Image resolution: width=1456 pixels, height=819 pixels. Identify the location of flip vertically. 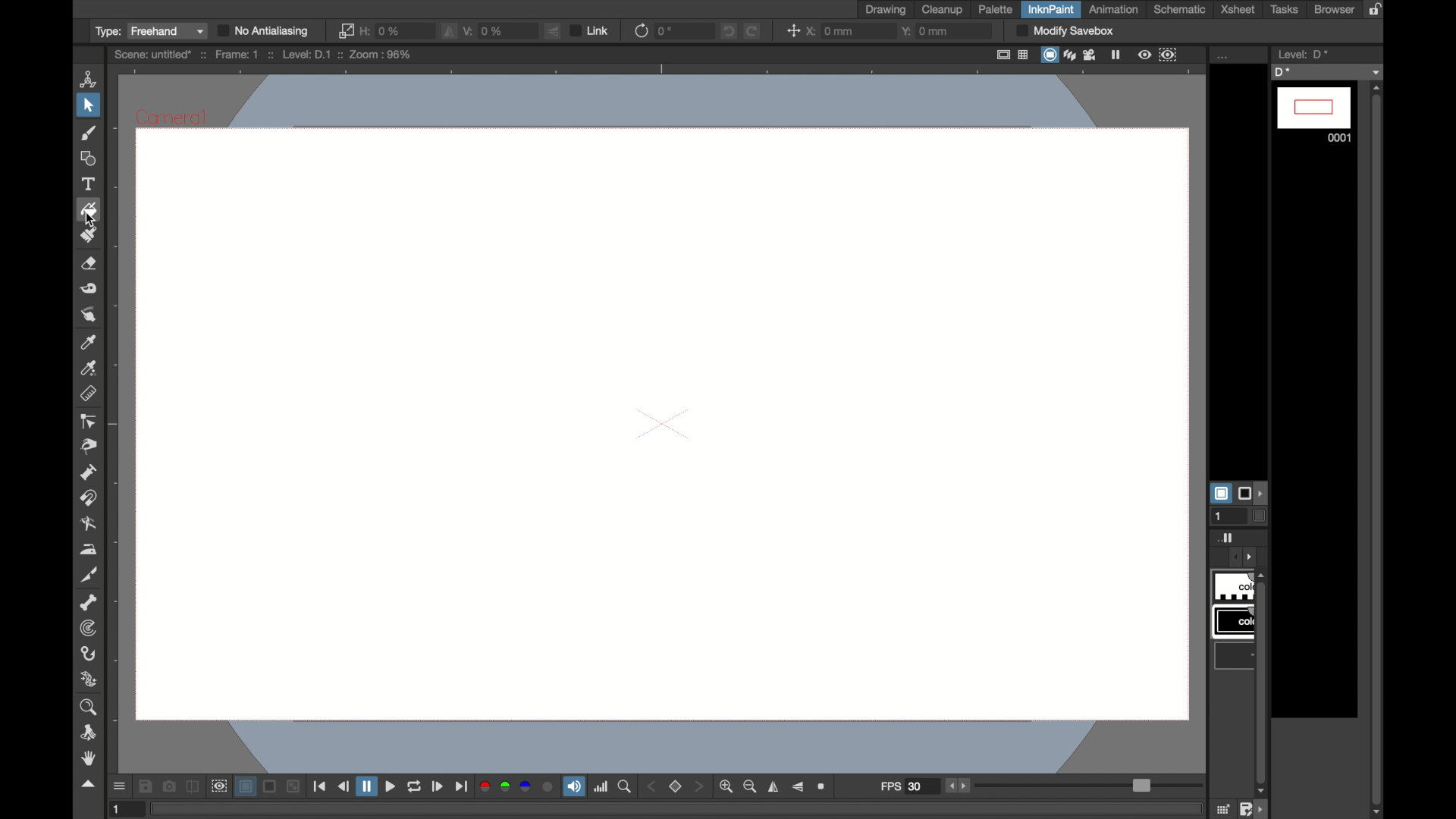
(552, 30).